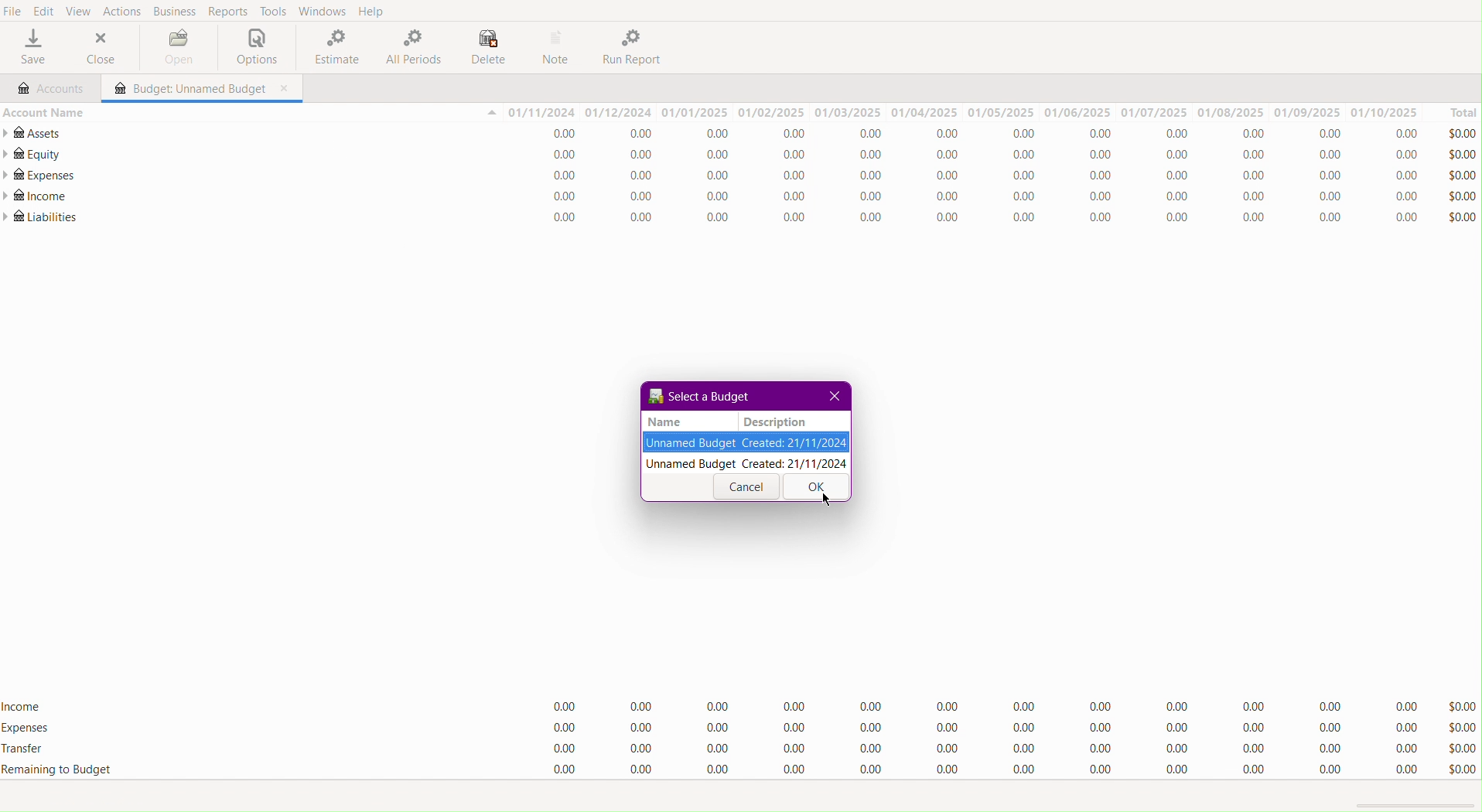 Image resolution: width=1482 pixels, height=812 pixels. Describe the element at coordinates (637, 47) in the screenshot. I see `Run Report` at that location.